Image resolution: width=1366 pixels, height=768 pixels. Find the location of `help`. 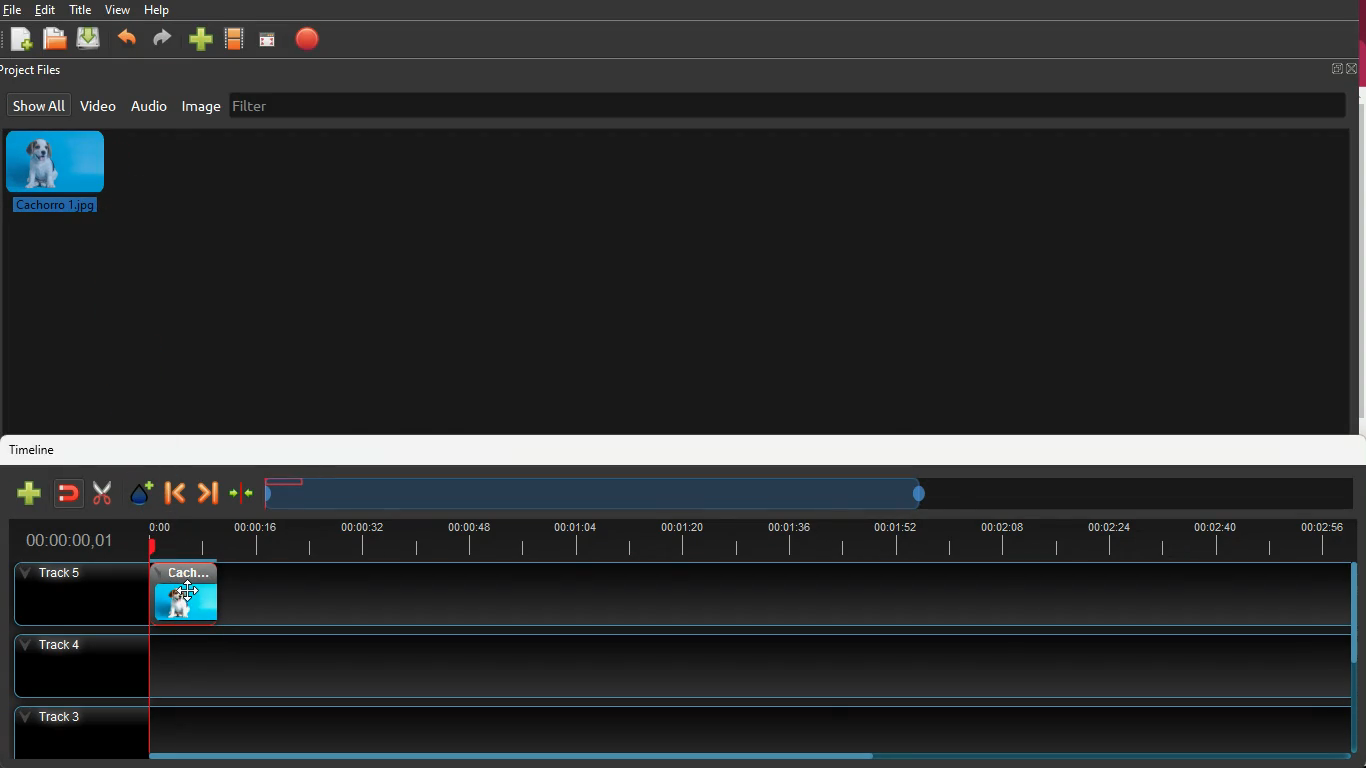

help is located at coordinates (160, 10).